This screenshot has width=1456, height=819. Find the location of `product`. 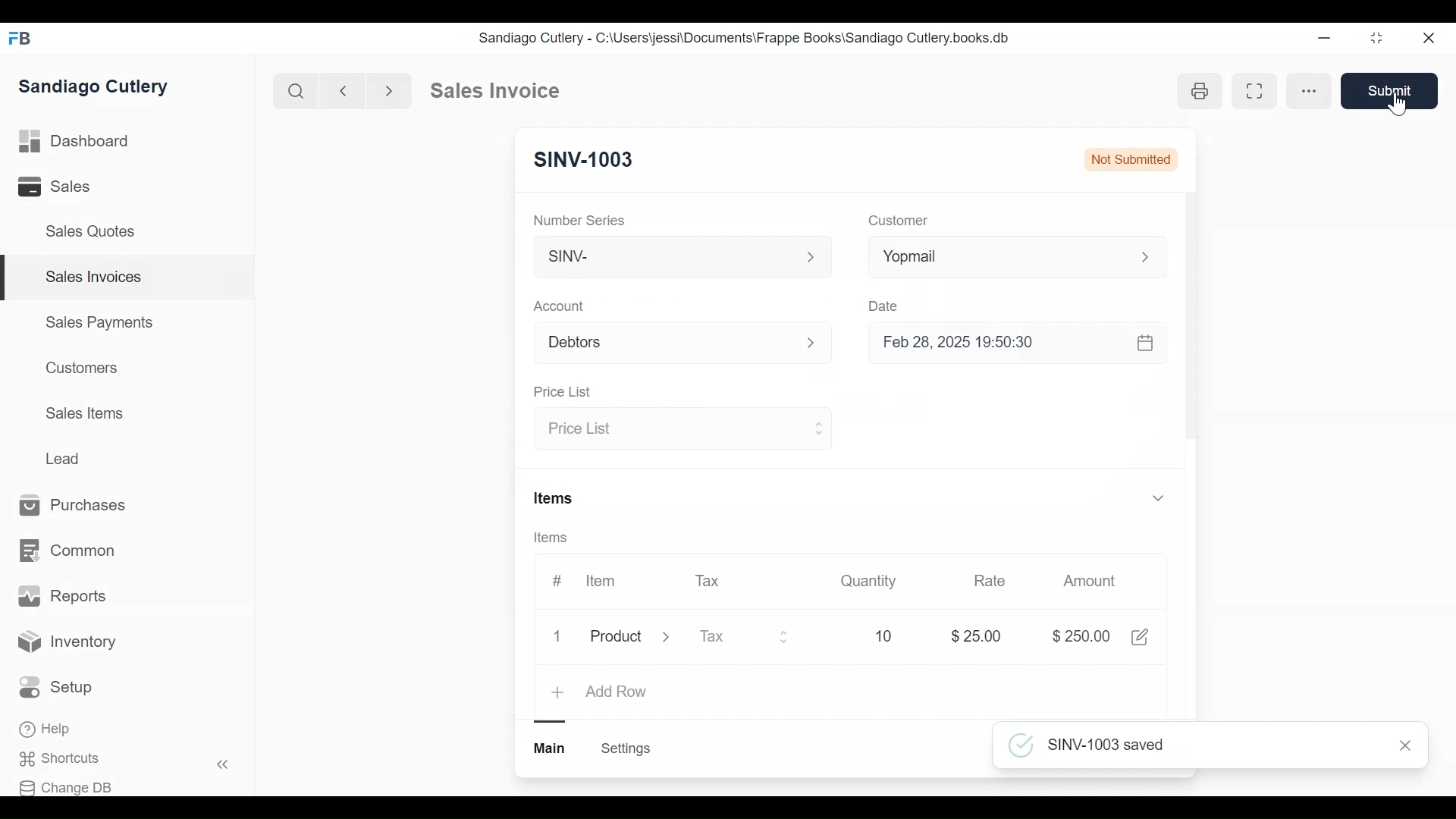

product is located at coordinates (616, 639).